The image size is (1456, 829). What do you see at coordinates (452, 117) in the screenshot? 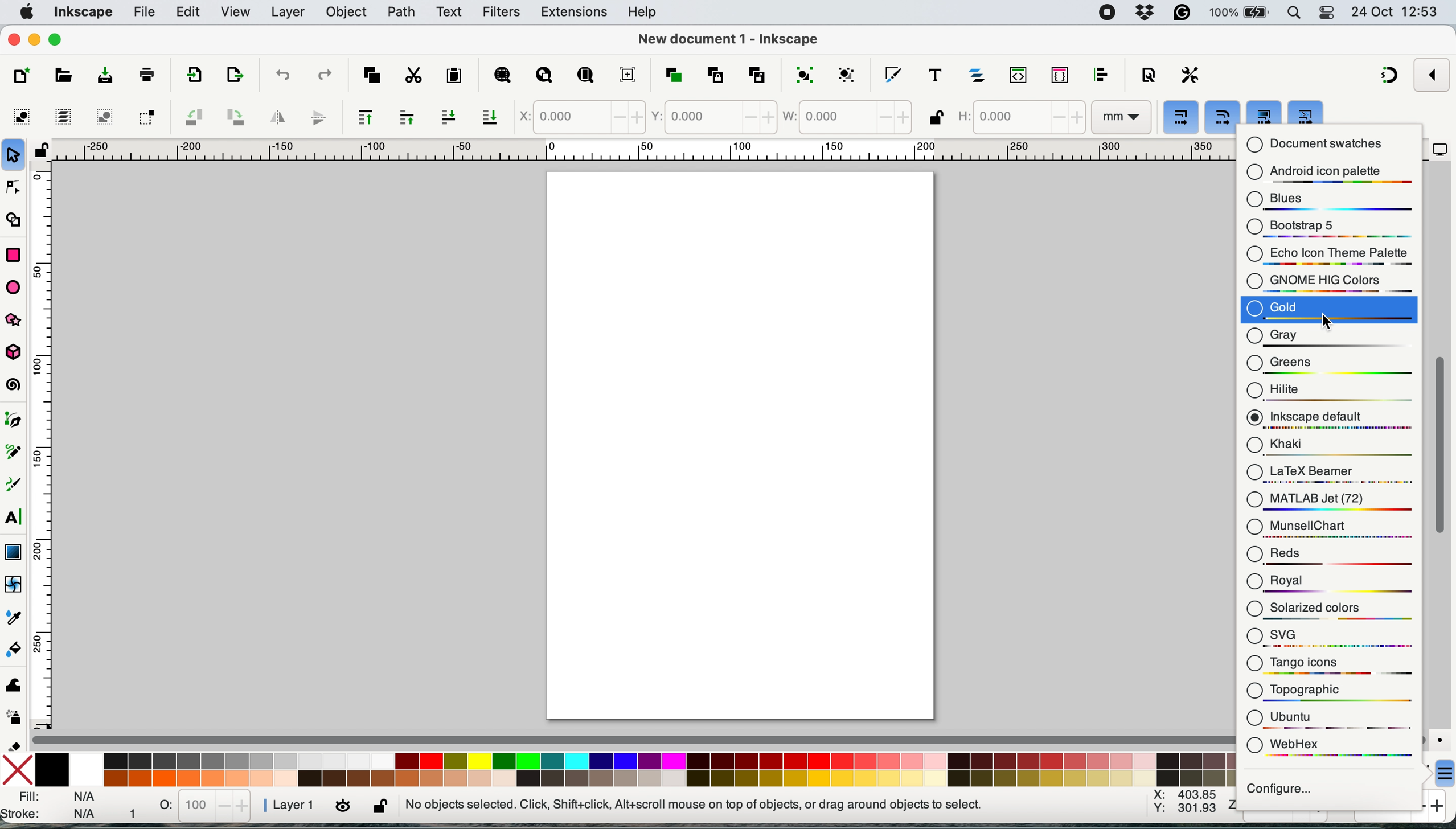
I see `lower selection one step` at bounding box center [452, 117].